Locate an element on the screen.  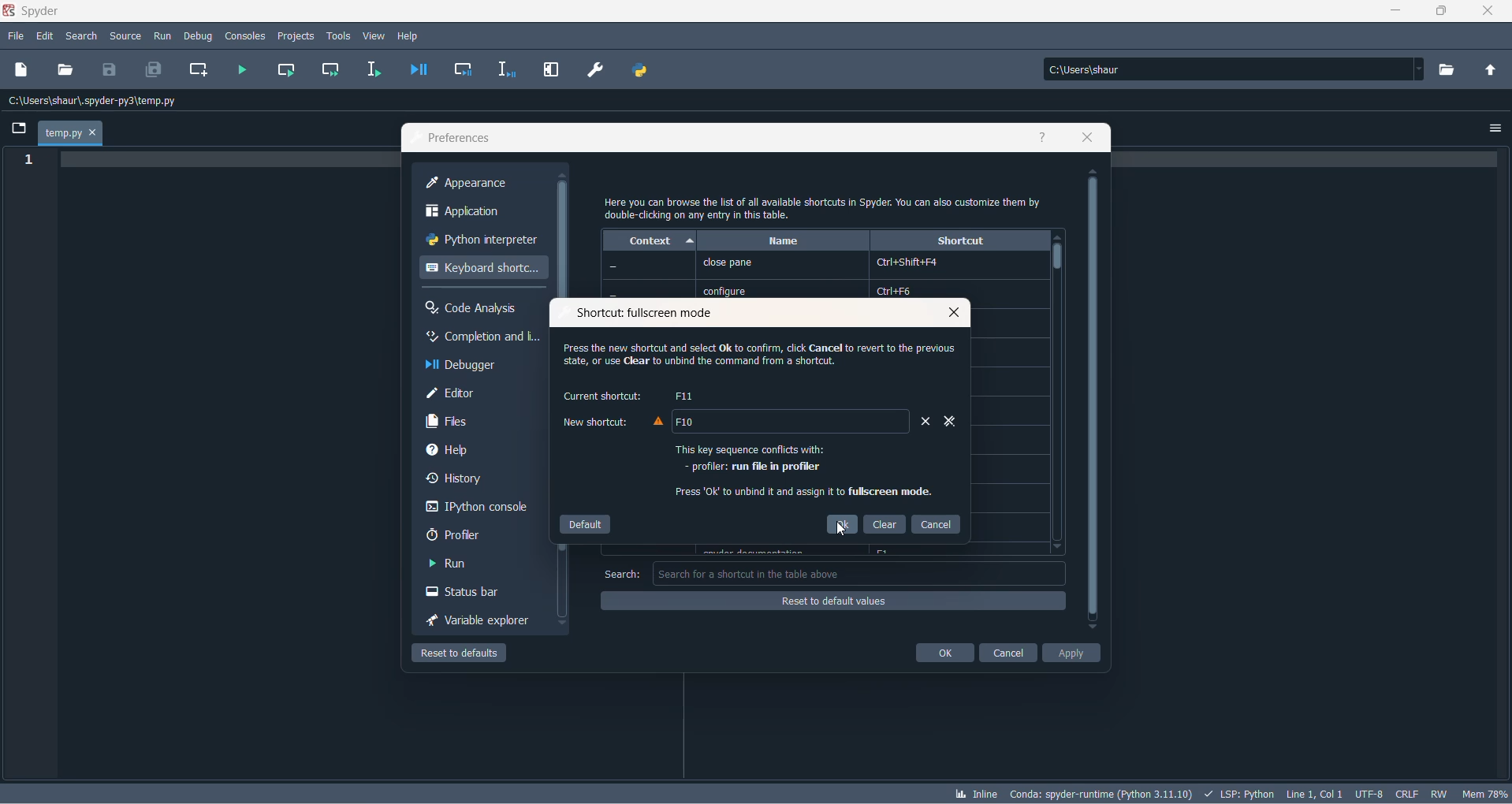
ok is located at coordinates (843, 525).